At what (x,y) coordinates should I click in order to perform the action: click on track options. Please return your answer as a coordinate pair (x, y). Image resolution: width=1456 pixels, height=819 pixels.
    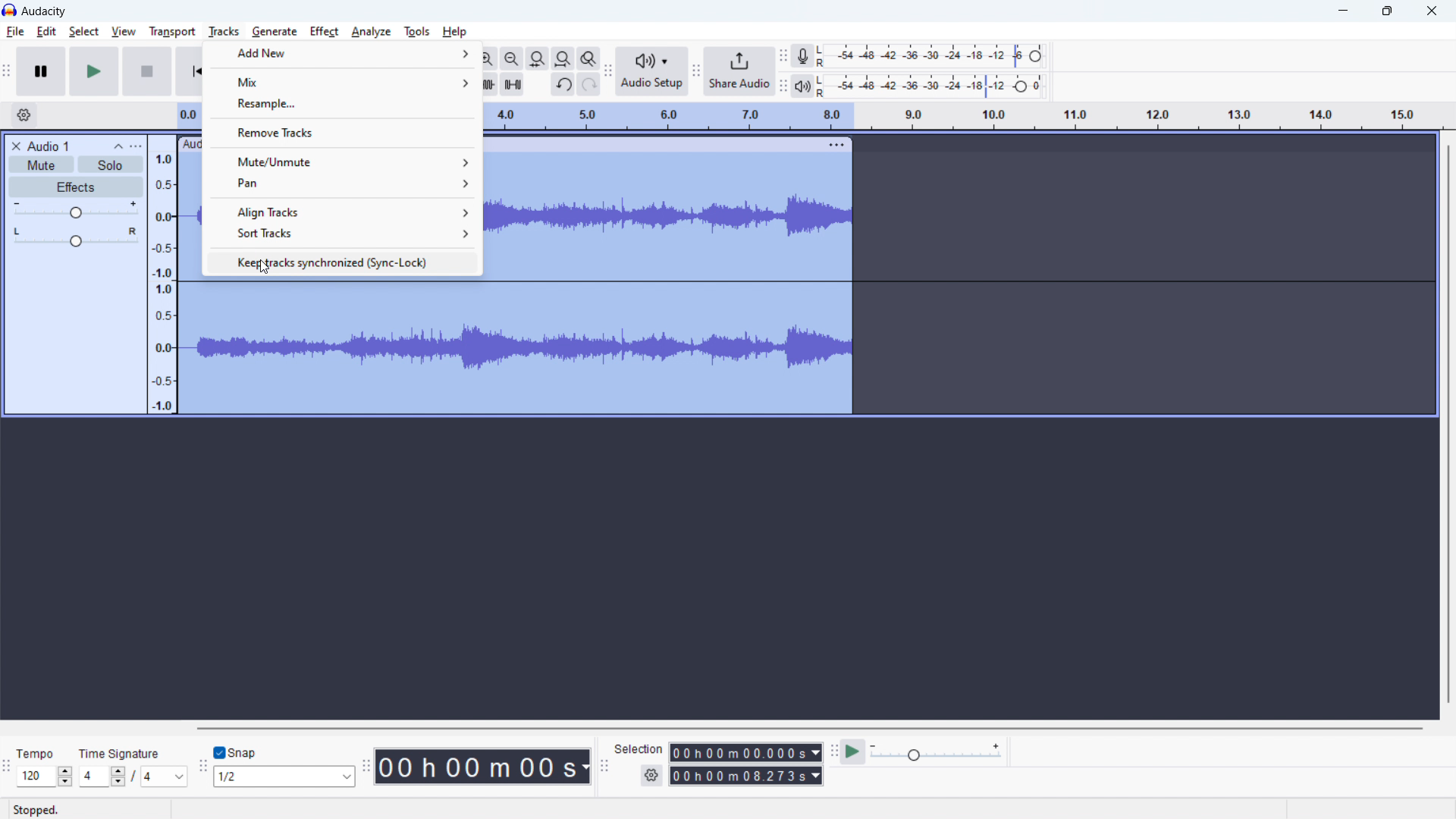
    Looking at the image, I should click on (836, 144).